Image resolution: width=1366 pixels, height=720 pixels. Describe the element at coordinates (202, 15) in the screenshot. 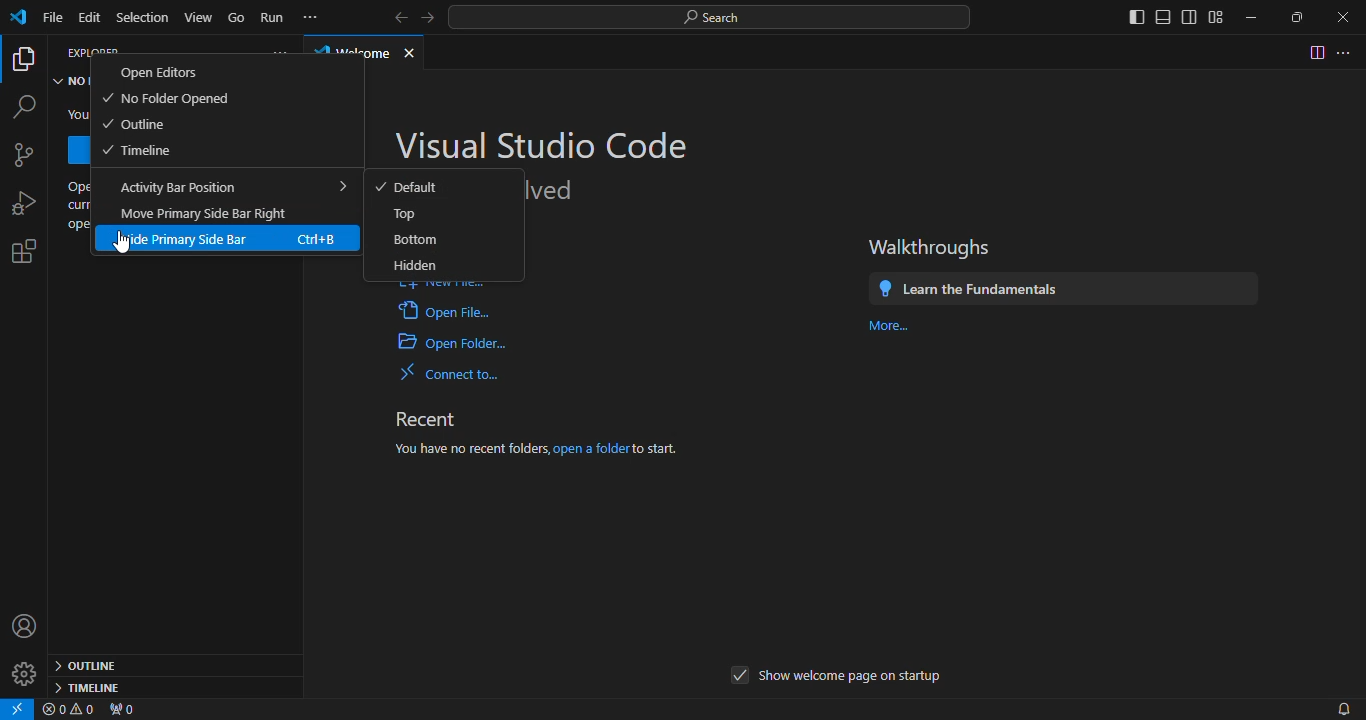

I see `View` at that location.